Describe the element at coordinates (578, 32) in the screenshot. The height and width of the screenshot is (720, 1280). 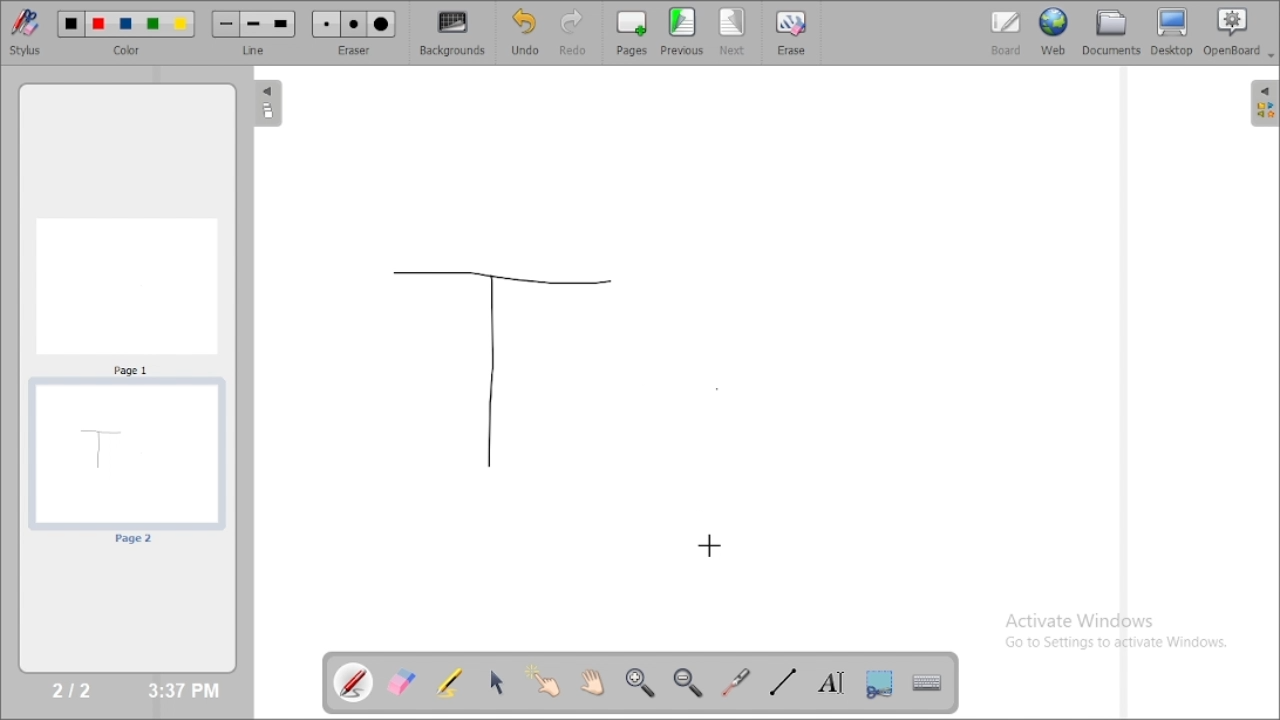
I see `redo` at that location.